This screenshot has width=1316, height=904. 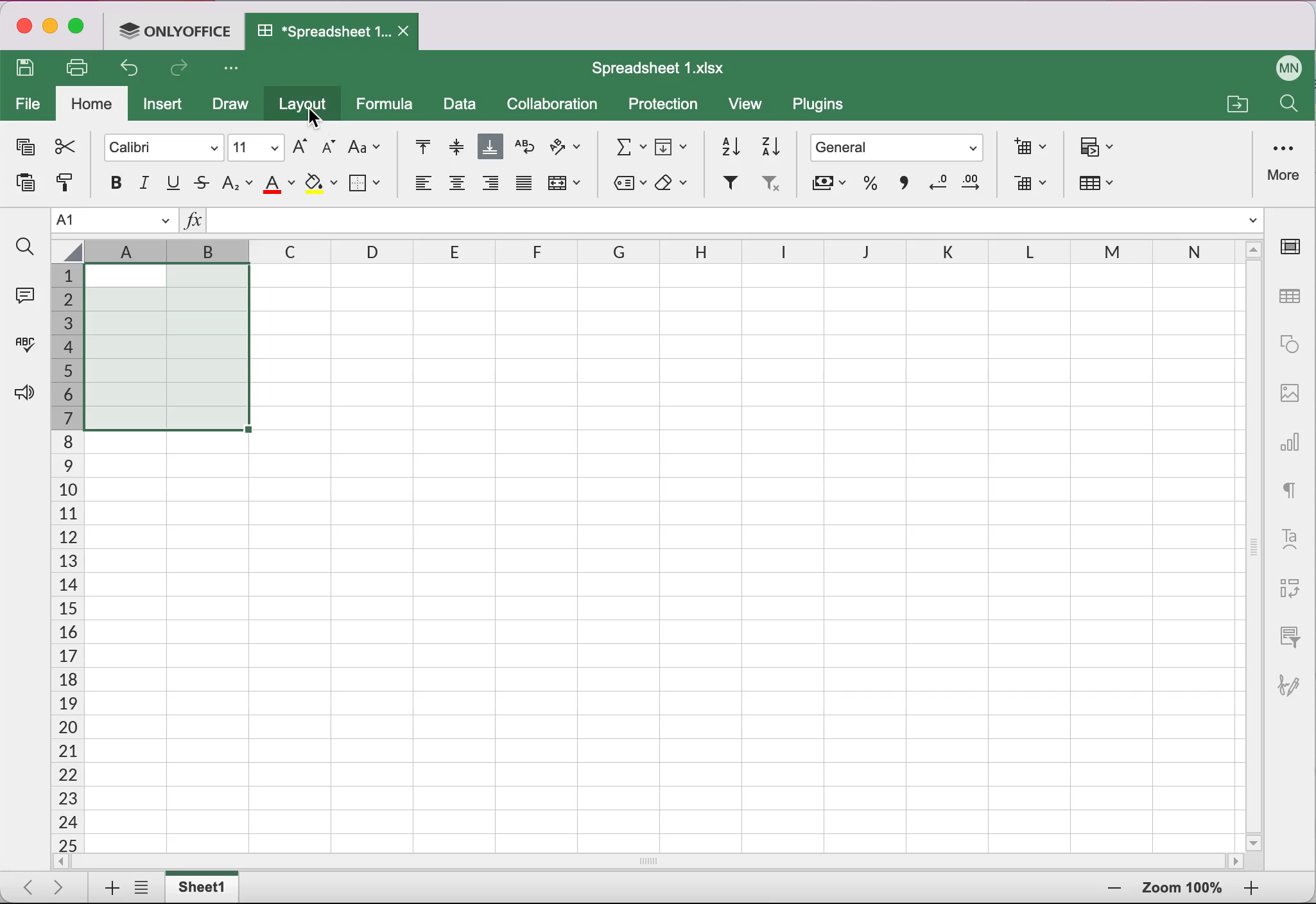 I want to click on find, so click(x=24, y=247).